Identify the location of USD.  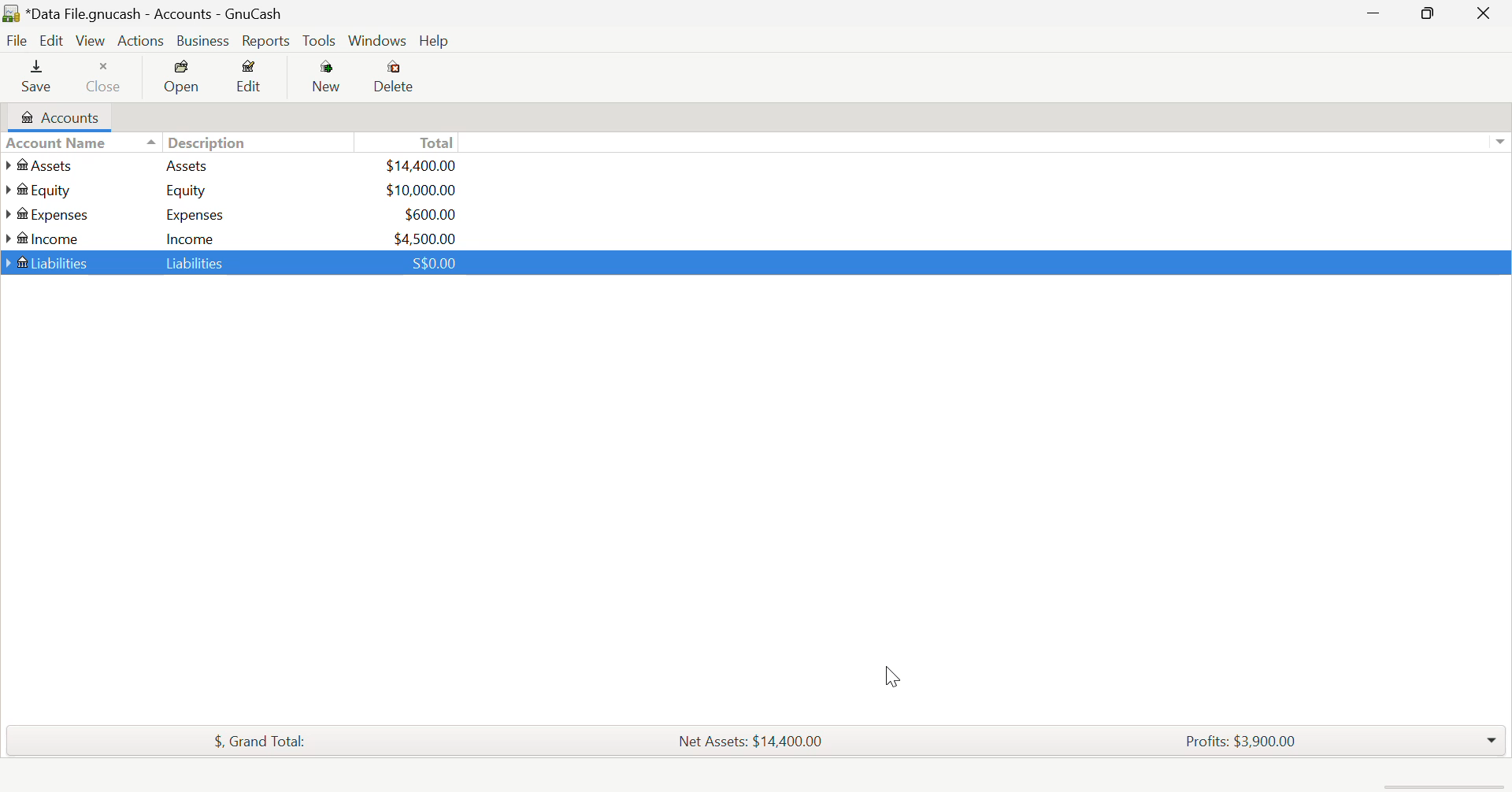
(421, 190).